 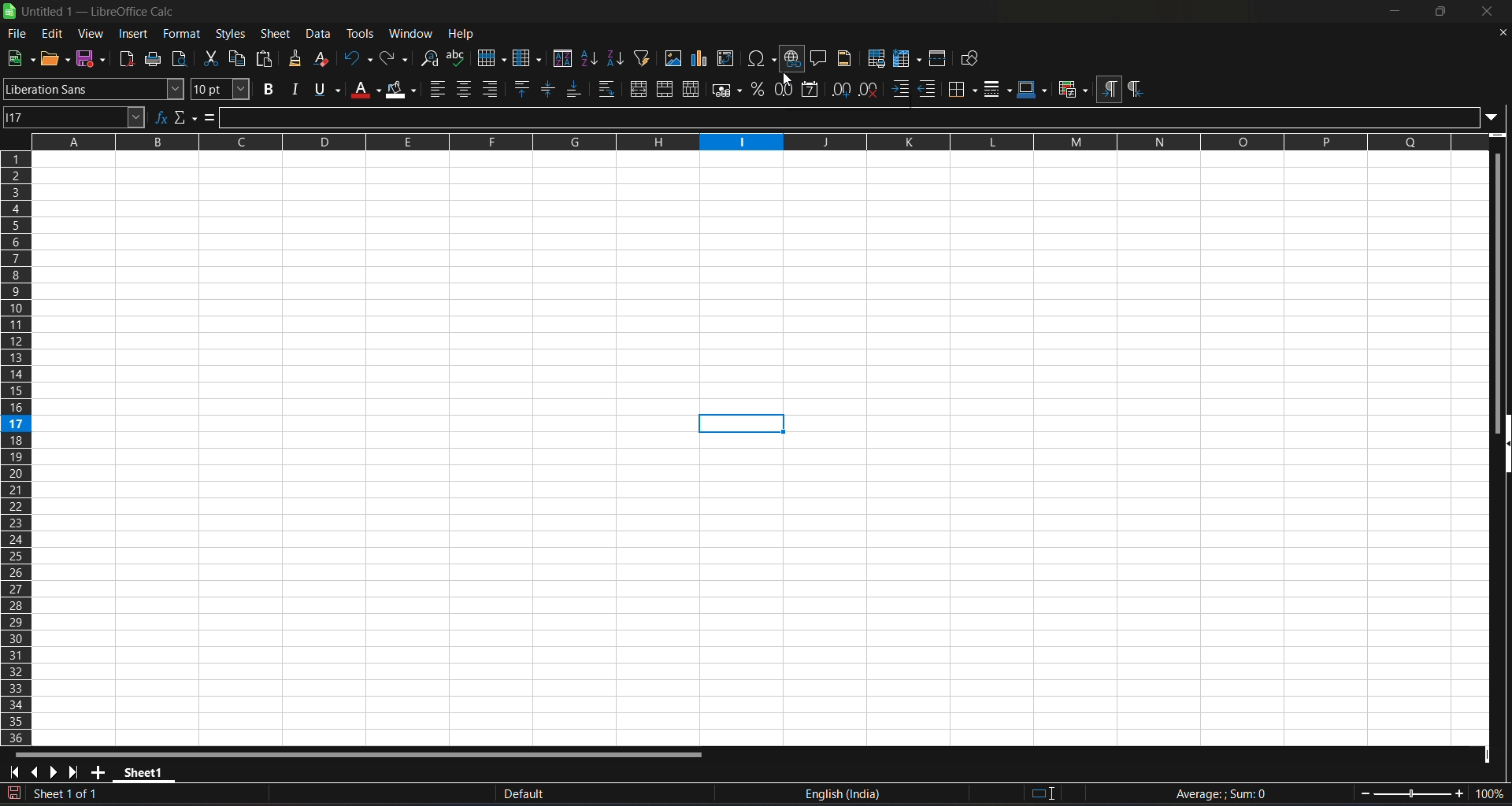 What do you see at coordinates (276, 34) in the screenshot?
I see `sheet` at bounding box center [276, 34].